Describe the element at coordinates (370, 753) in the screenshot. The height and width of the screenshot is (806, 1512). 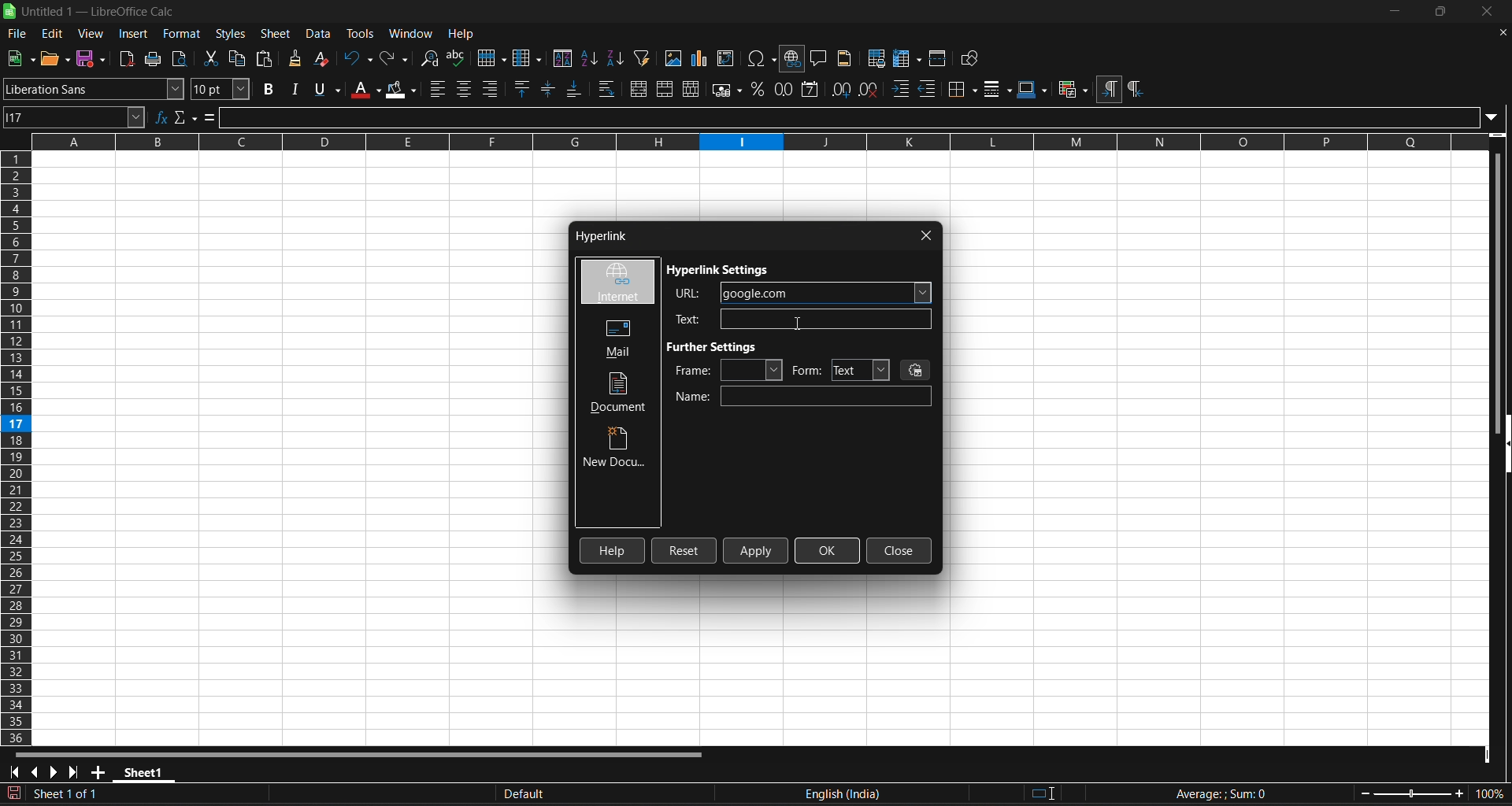
I see `horizontal scroll bar` at that location.